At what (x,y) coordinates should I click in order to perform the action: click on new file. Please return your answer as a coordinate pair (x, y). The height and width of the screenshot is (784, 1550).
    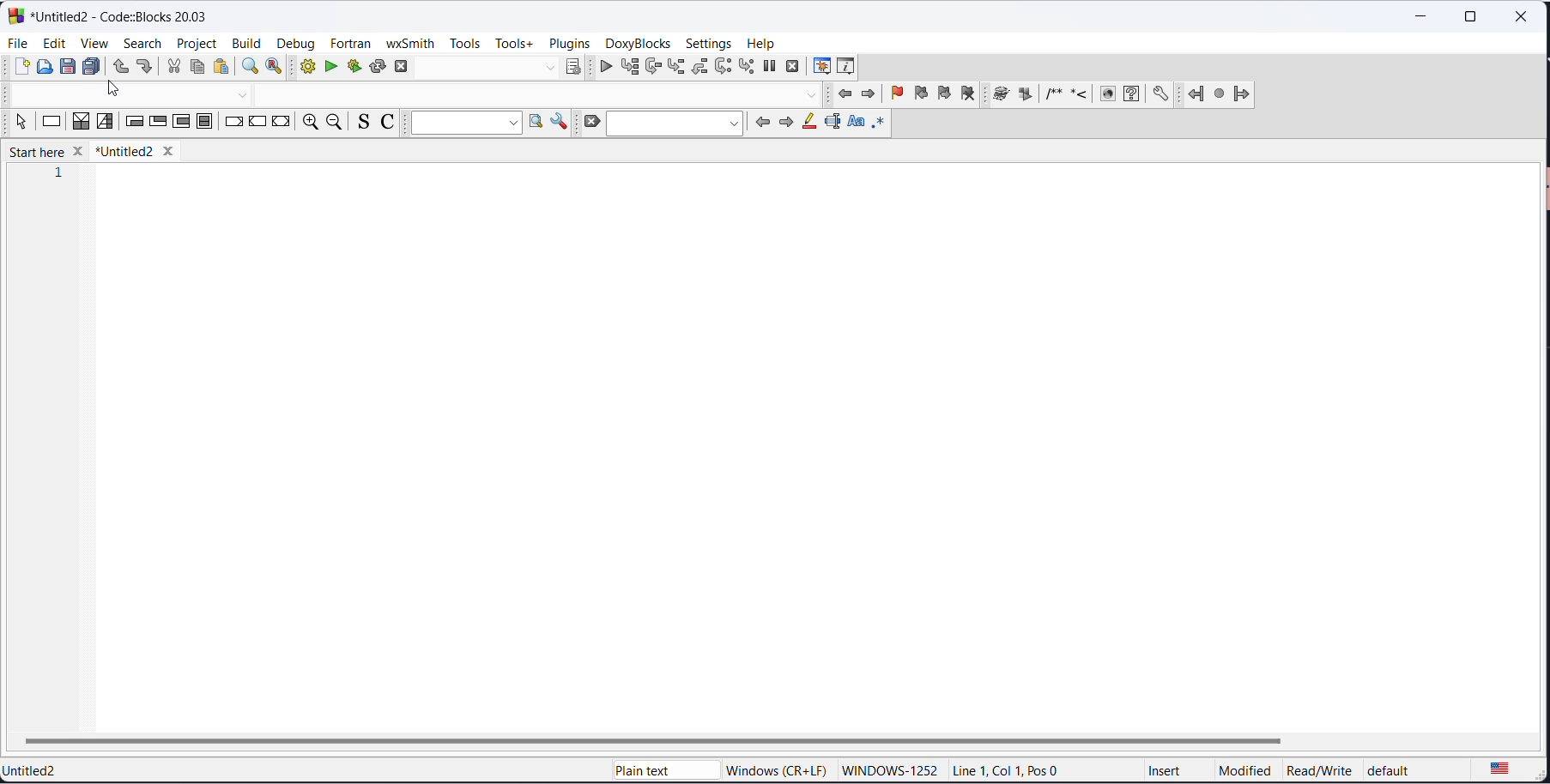
    Looking at the image, I should click on (21, 67).